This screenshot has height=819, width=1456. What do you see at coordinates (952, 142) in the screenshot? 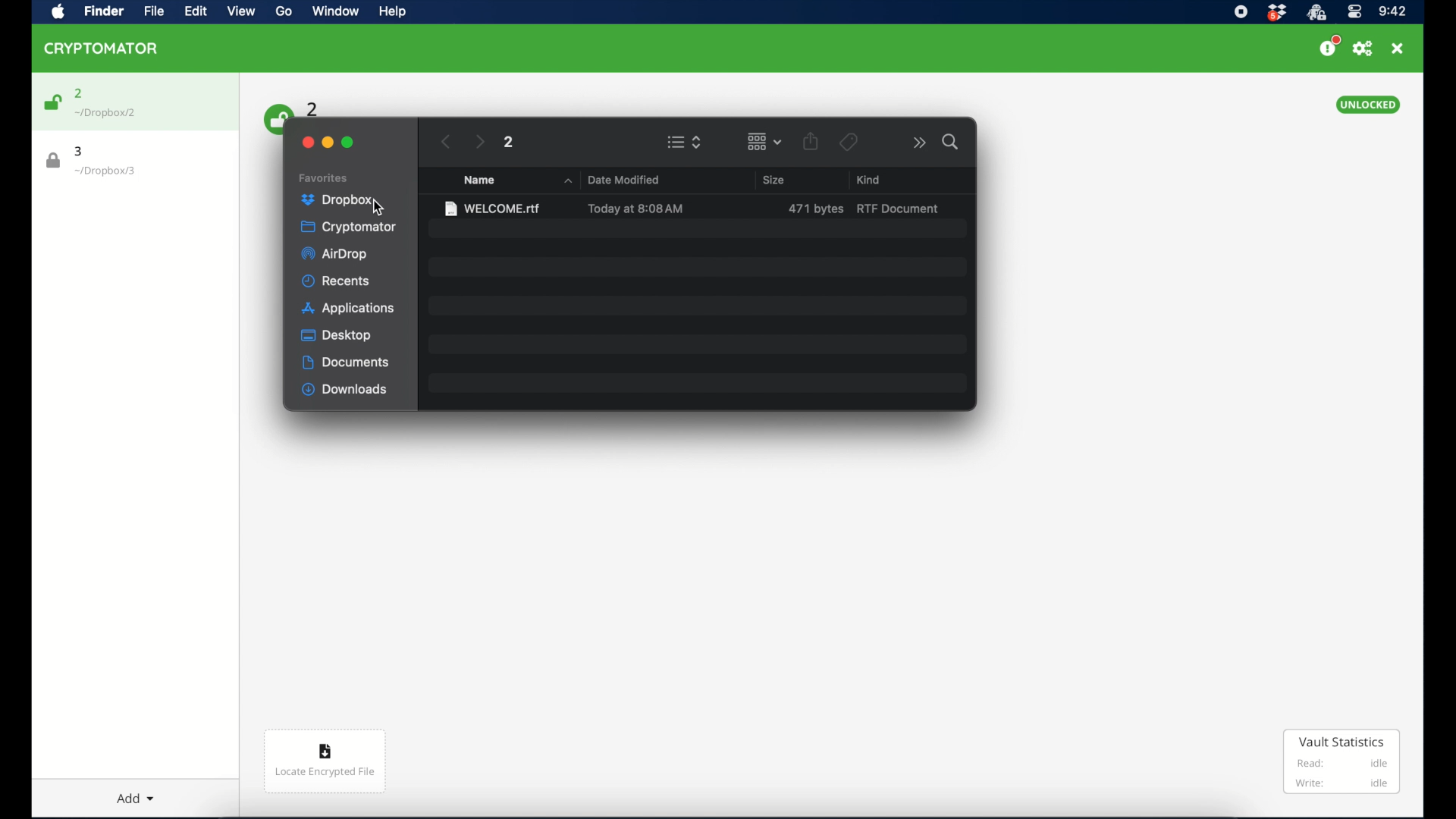
I see `search` at bounding box center [952, 142].